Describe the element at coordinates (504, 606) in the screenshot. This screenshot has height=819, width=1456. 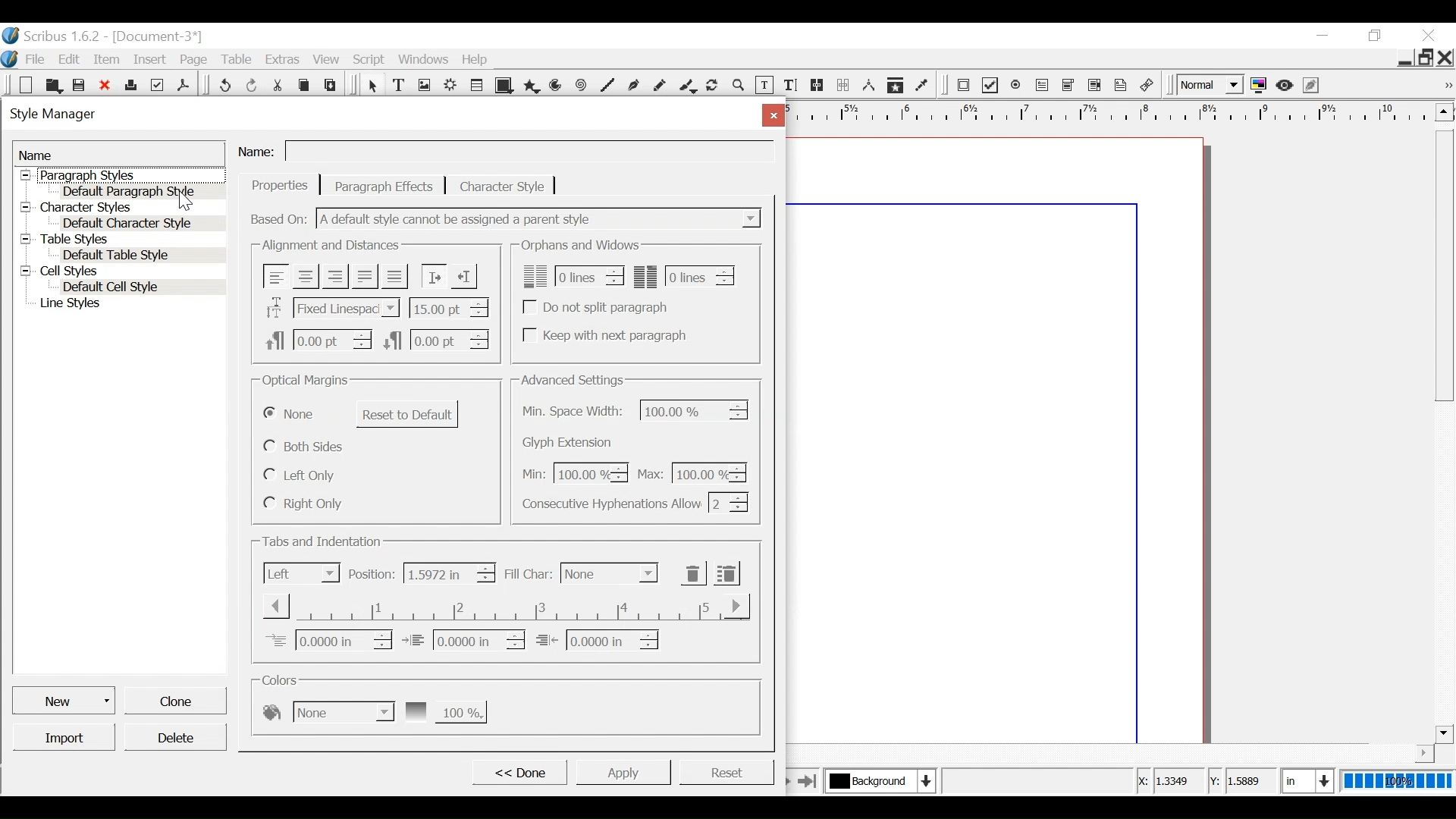
I see `Adjust tab` at that location.